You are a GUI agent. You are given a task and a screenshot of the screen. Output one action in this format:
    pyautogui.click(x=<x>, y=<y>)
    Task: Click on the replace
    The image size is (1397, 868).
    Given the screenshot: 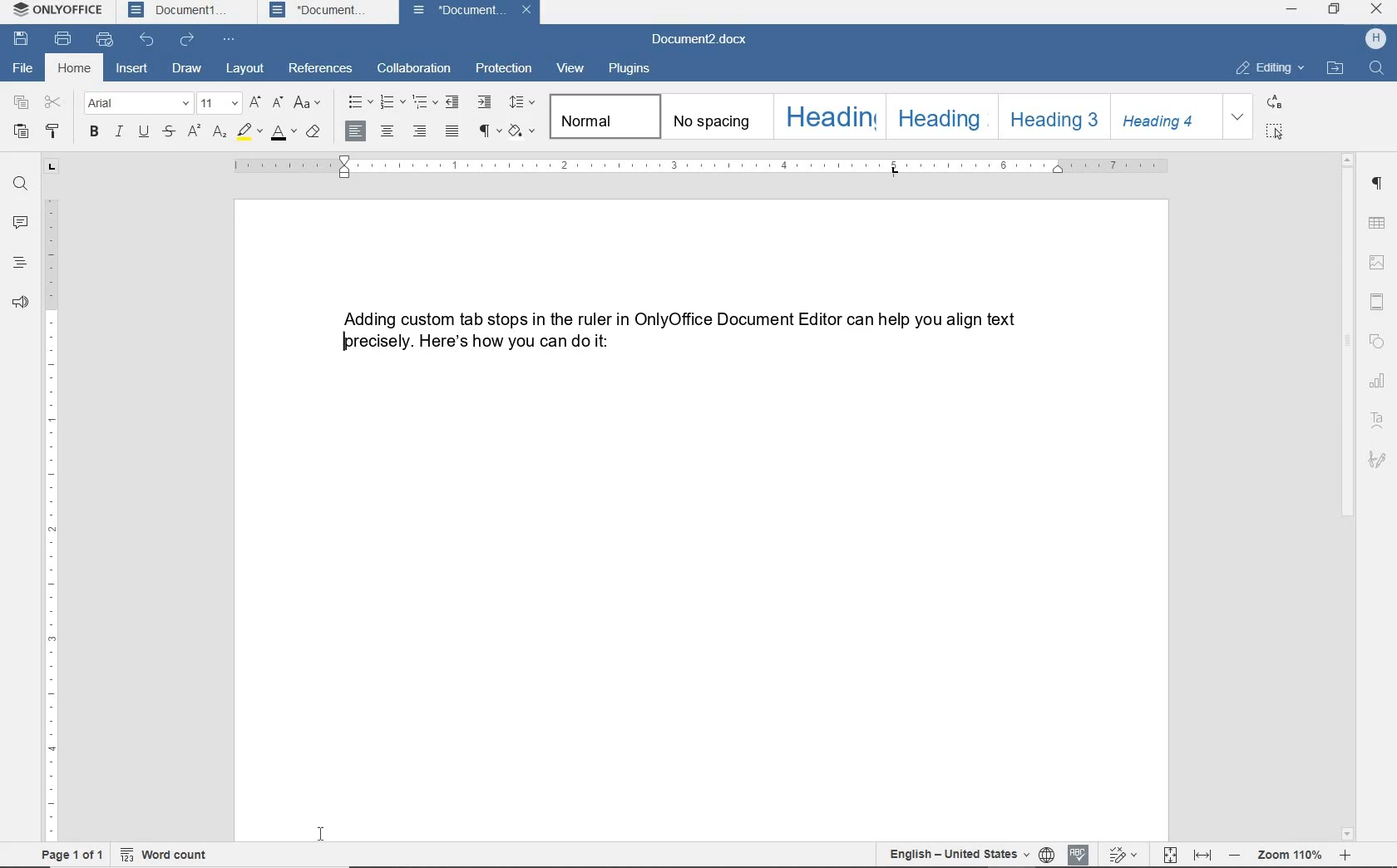 What is the action you would take?
    pyautogui.click(x=1276, y=103)
    